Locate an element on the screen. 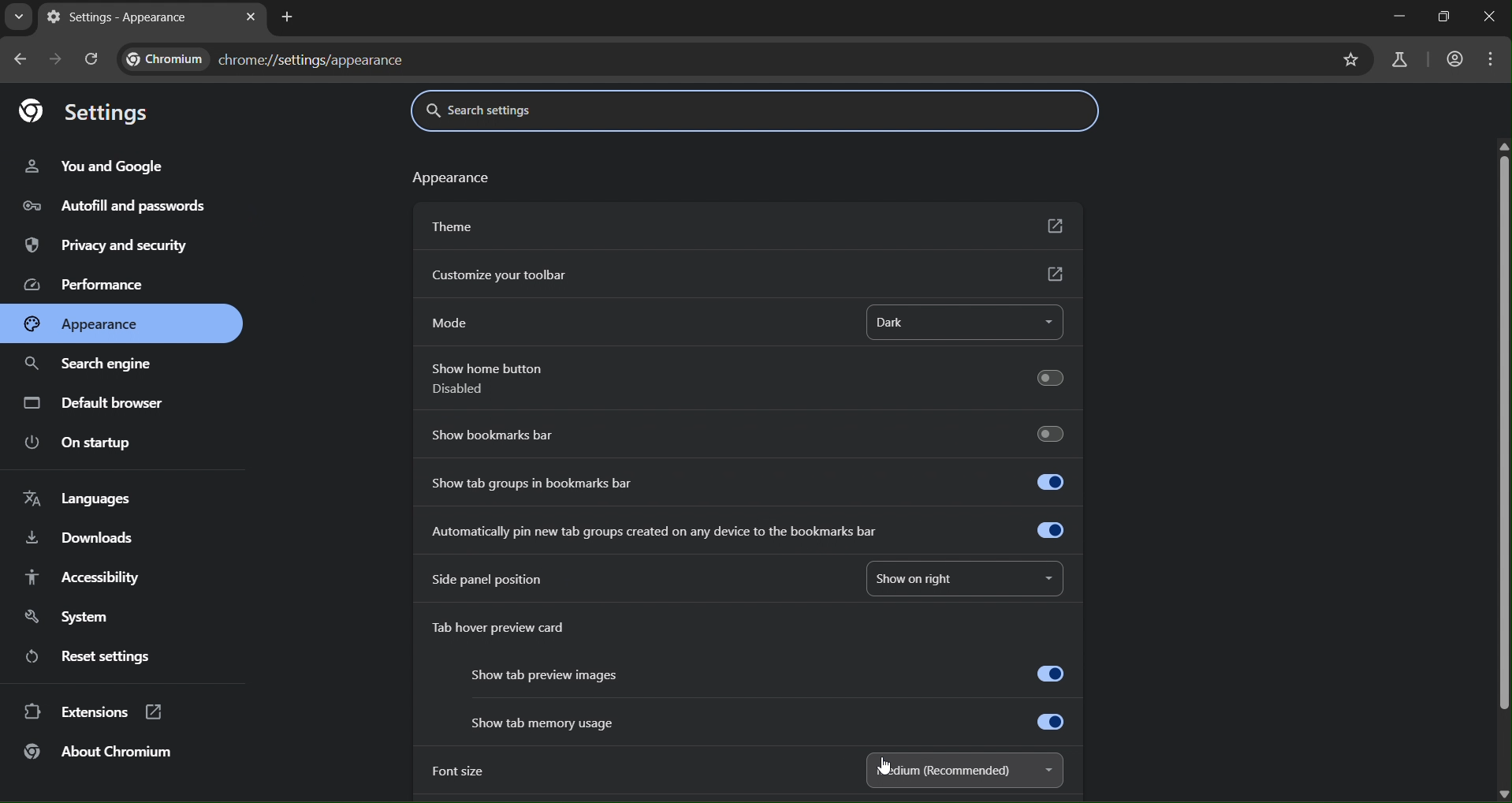 The width and height of the screenshot is (1512, 803). show home button disabled is located at coordinates (753, 381).